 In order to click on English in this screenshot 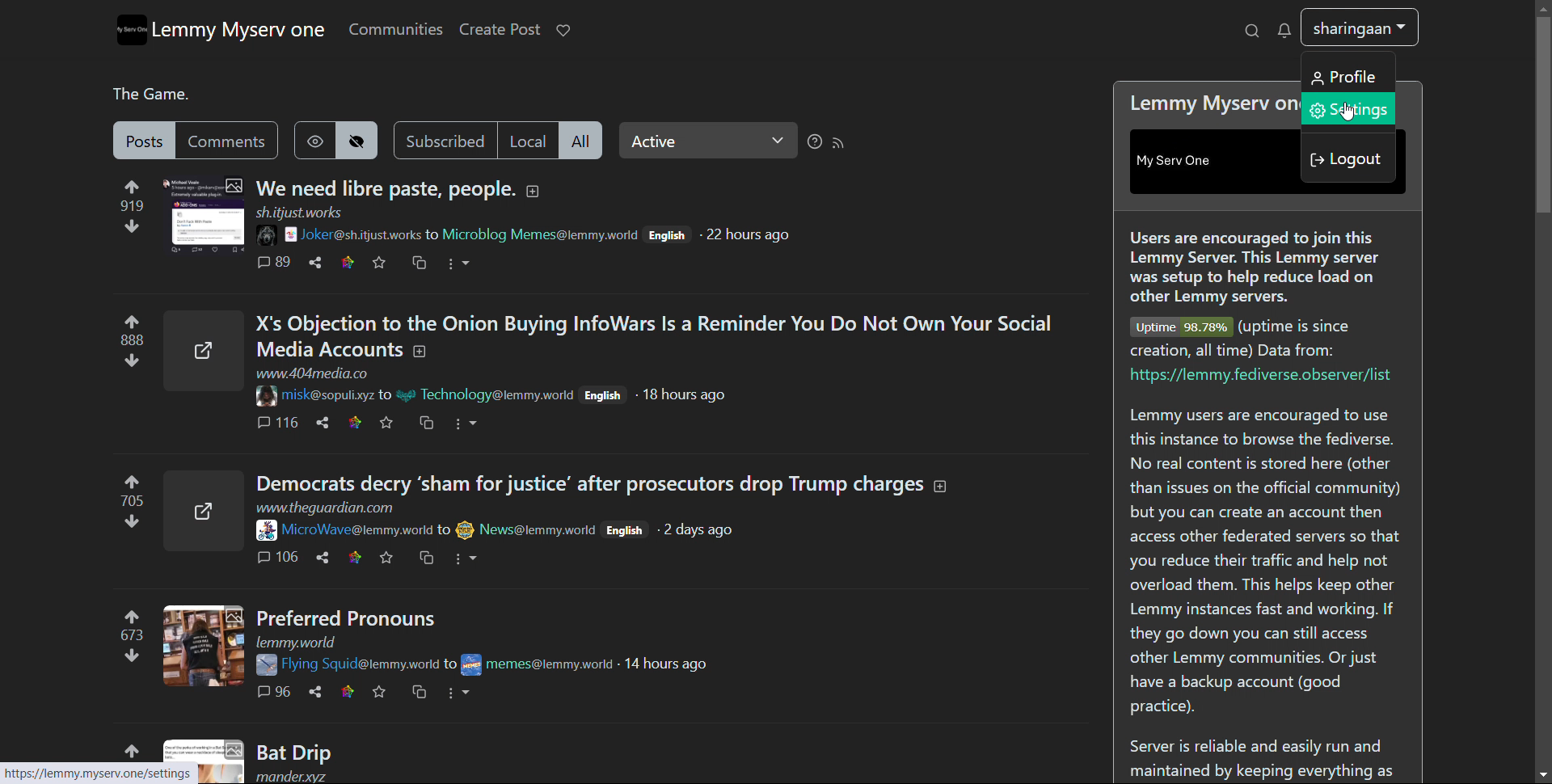, I will do `click(606, 398)`.